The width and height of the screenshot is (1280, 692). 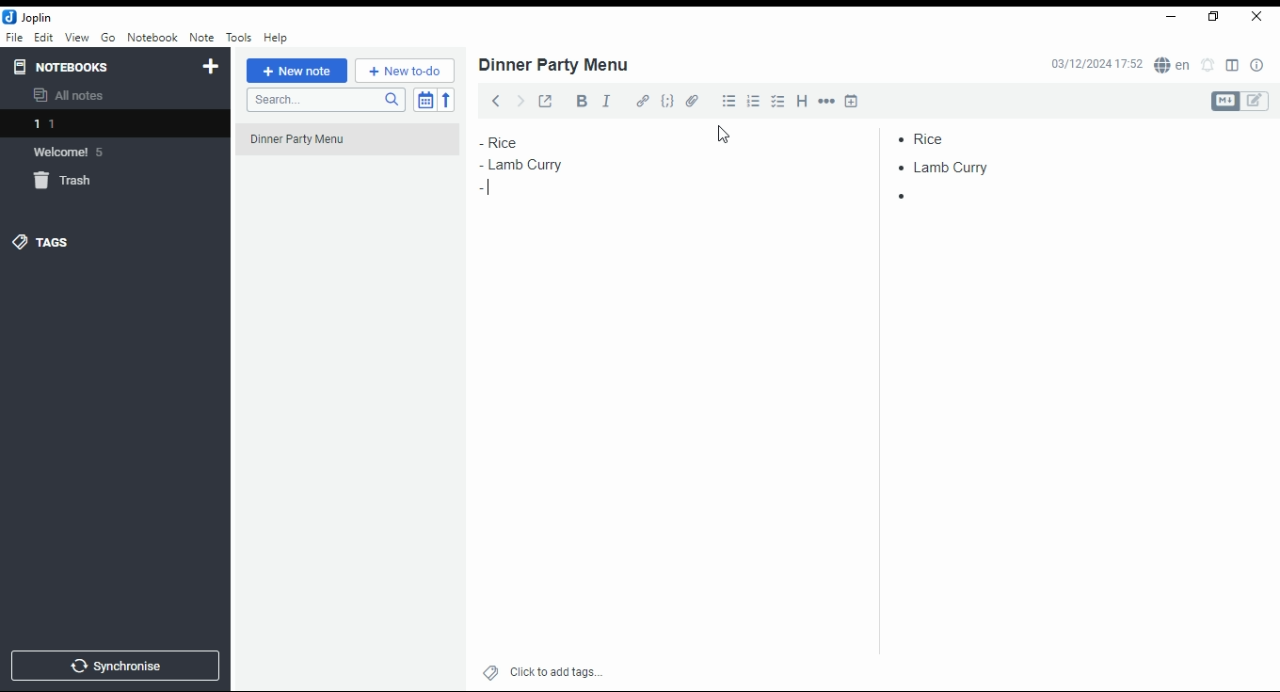 I want to click on language, so click(x=1171, y=65).